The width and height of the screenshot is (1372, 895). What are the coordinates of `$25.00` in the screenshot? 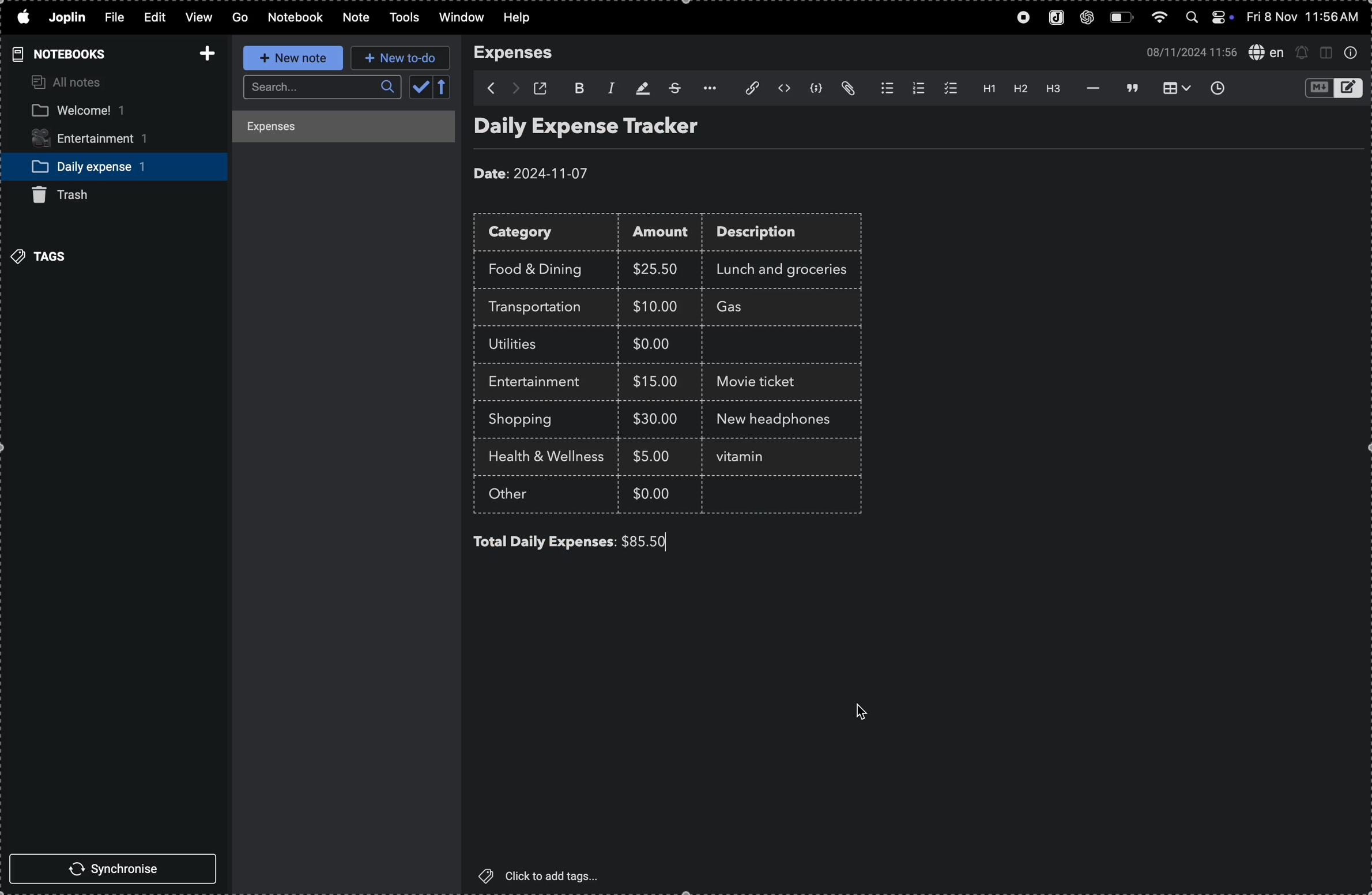 It's located at (659, 269).